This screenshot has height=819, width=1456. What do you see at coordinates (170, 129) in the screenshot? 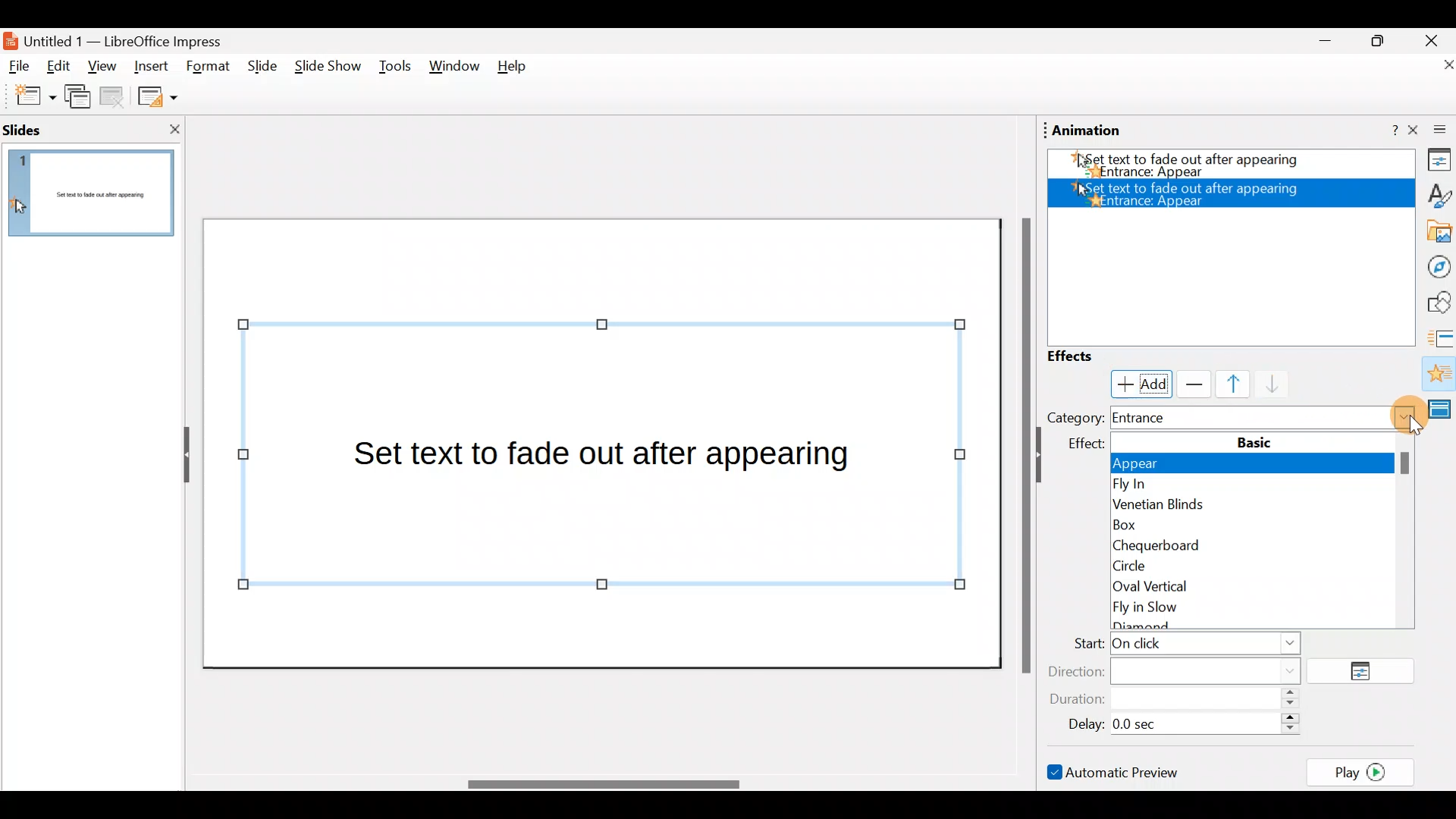
I see `Close slide pane` at bounding box center [170, 129].